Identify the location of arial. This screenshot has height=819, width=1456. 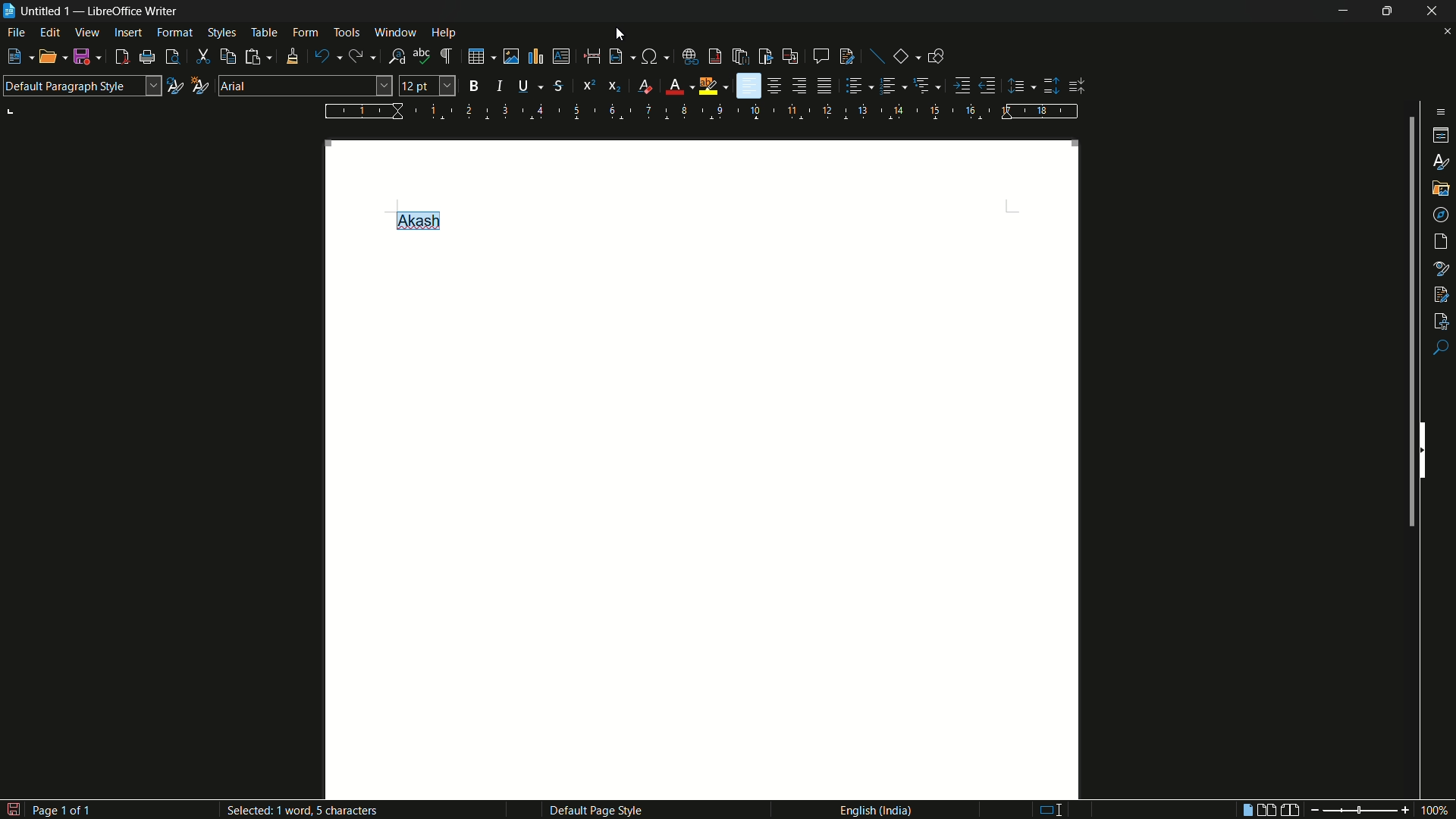
(234, 86).